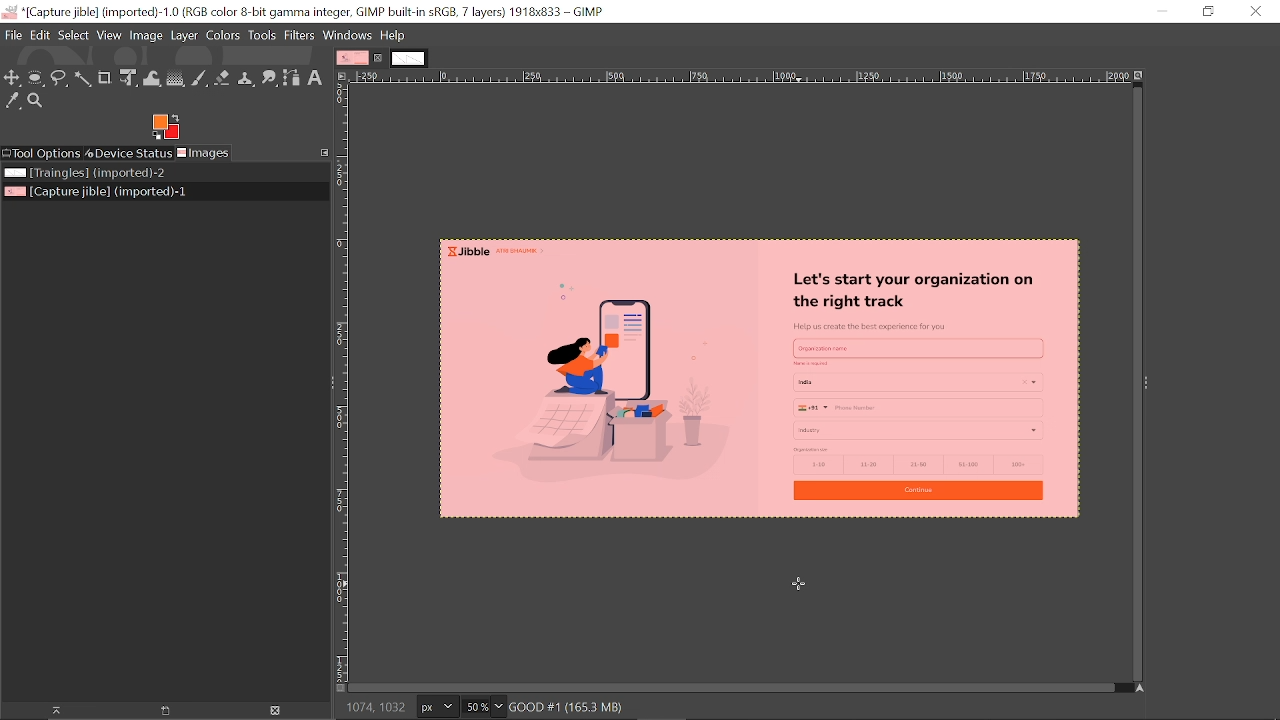 This screenshot has width=1280, height=720. Describe the element at coordinates (13, 35) in the screenshot. I see `File` at that location.